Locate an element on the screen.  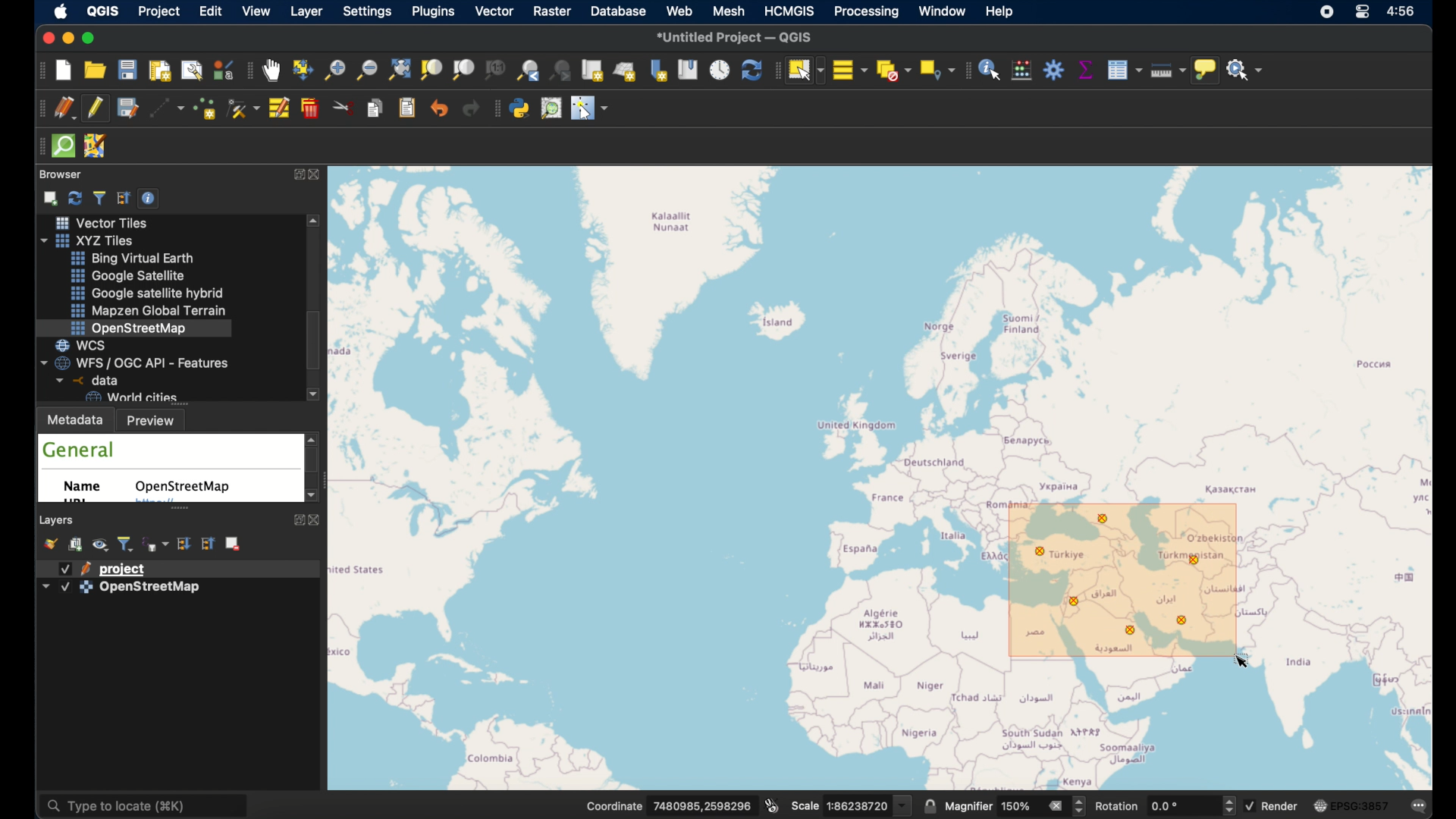
vector is located at coordinates (494, 12).